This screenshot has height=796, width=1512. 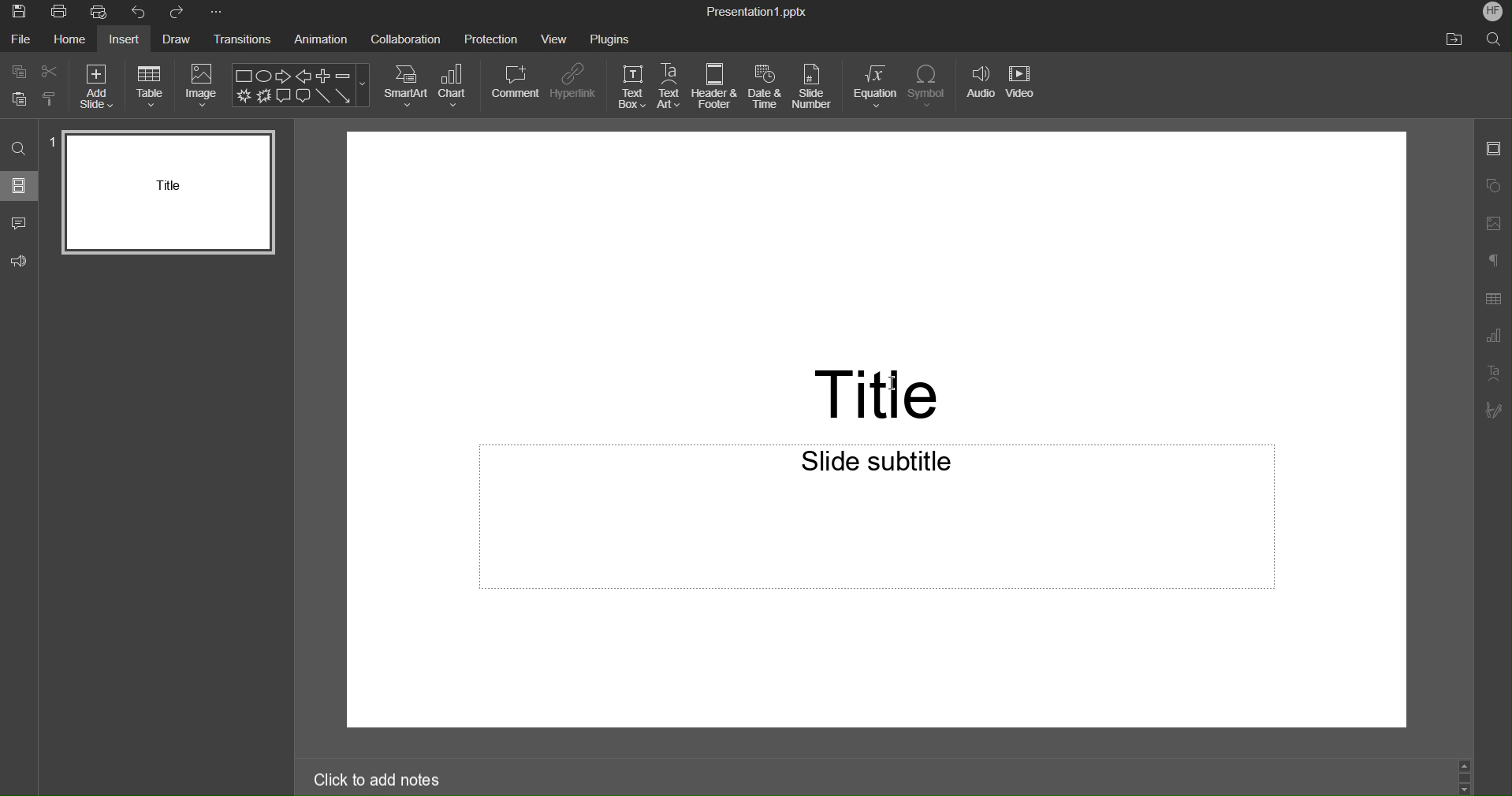 What do you see at coordinates (70, 39) in the screenshot?
I see `Home` at bounding box center [70, 39].